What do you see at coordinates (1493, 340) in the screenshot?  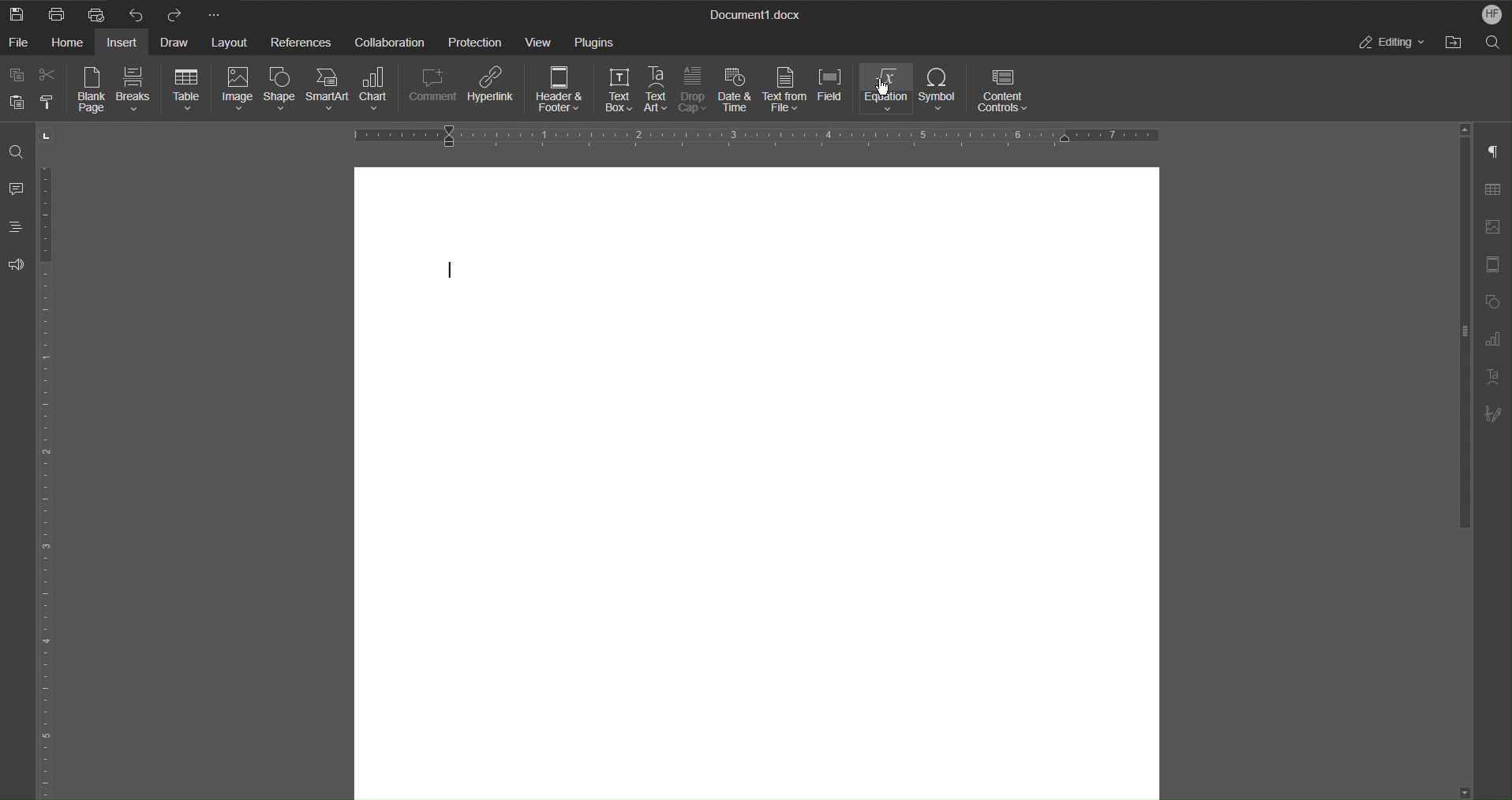 I see `Graph` at bounding box center [1493, 340].